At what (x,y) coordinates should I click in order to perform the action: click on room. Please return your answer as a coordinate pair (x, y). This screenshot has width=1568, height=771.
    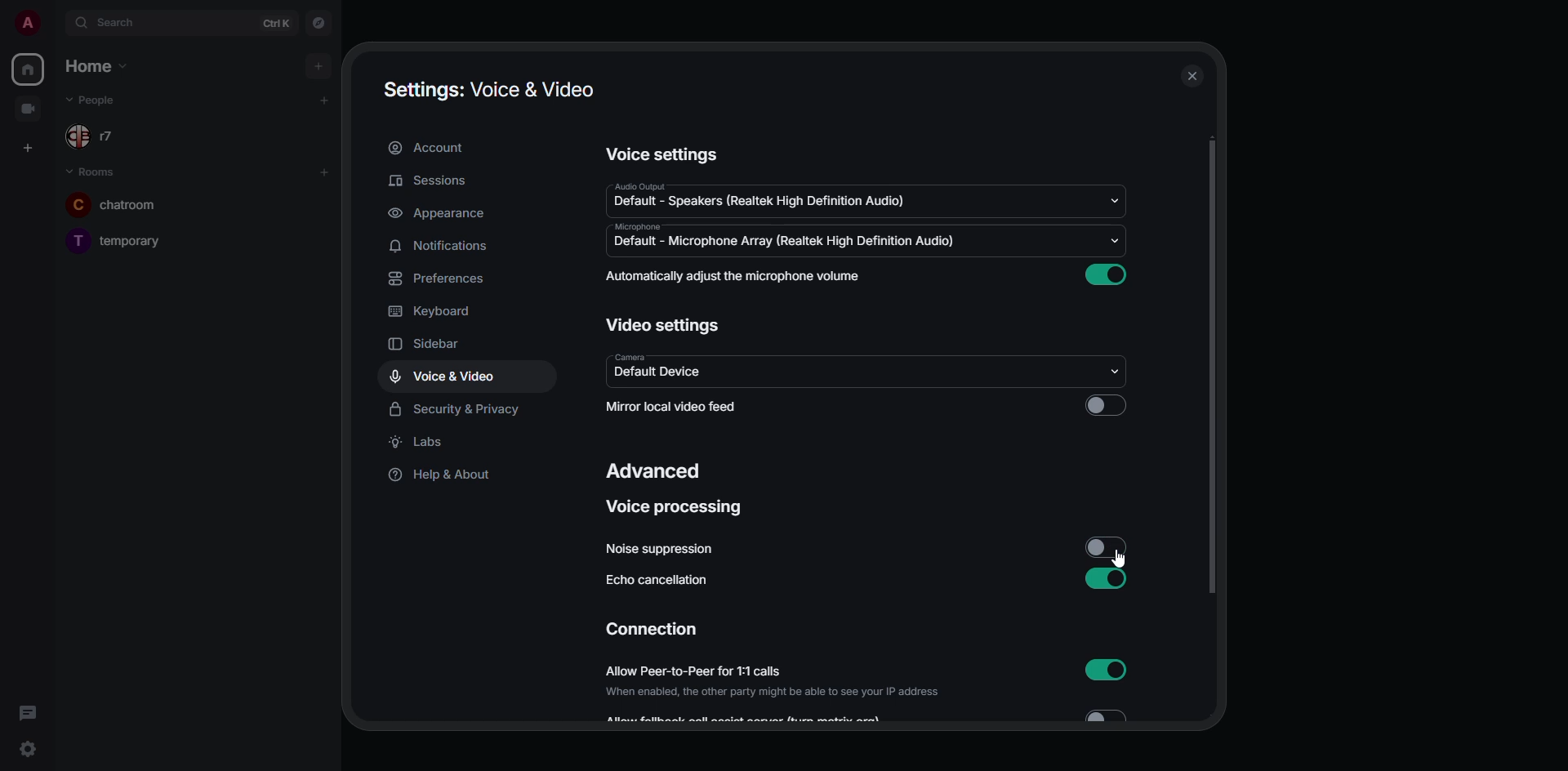
    Looking at the image, I should click on (111, 207).